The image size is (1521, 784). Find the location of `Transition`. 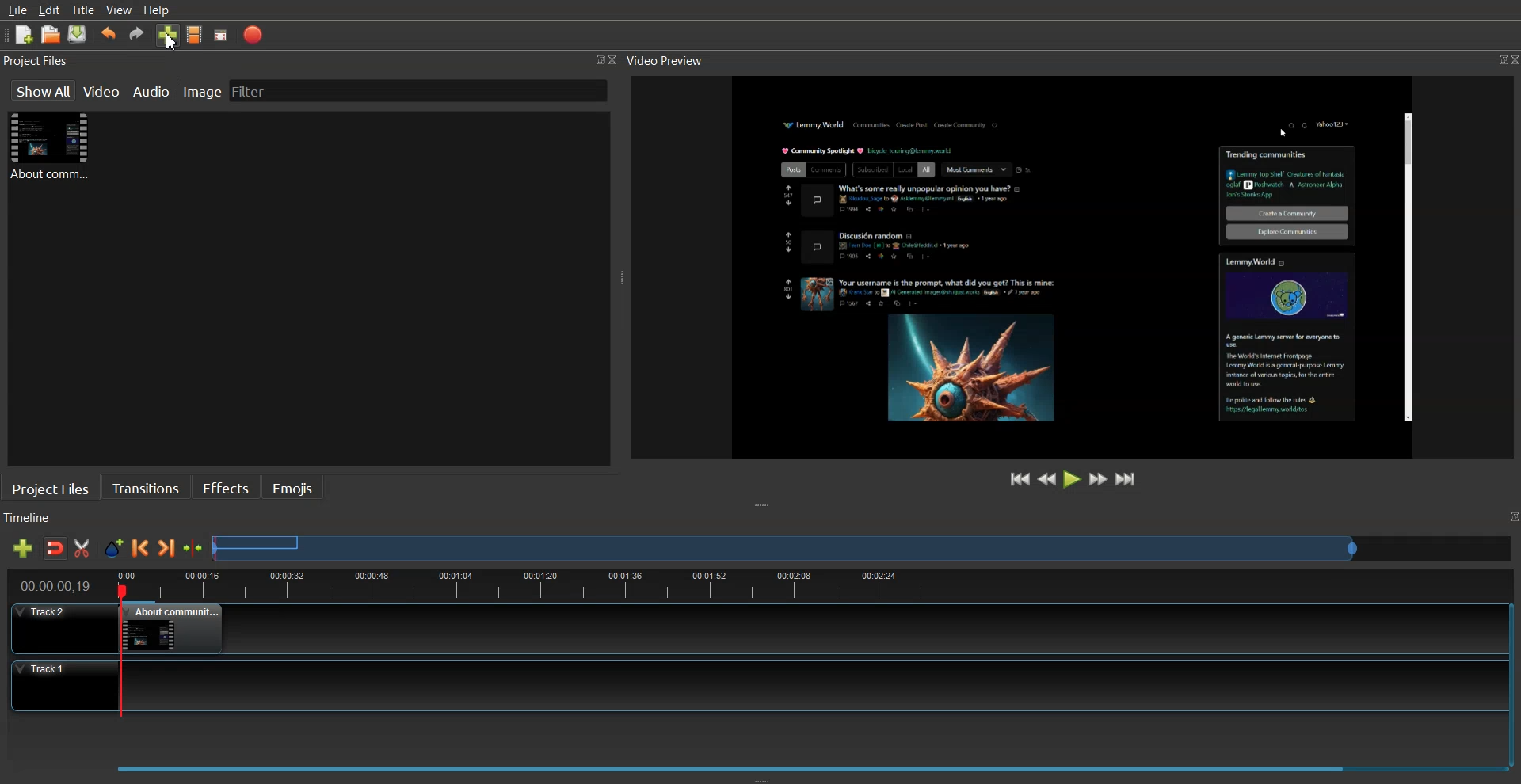

Transition is located at coordinates (146, 487).